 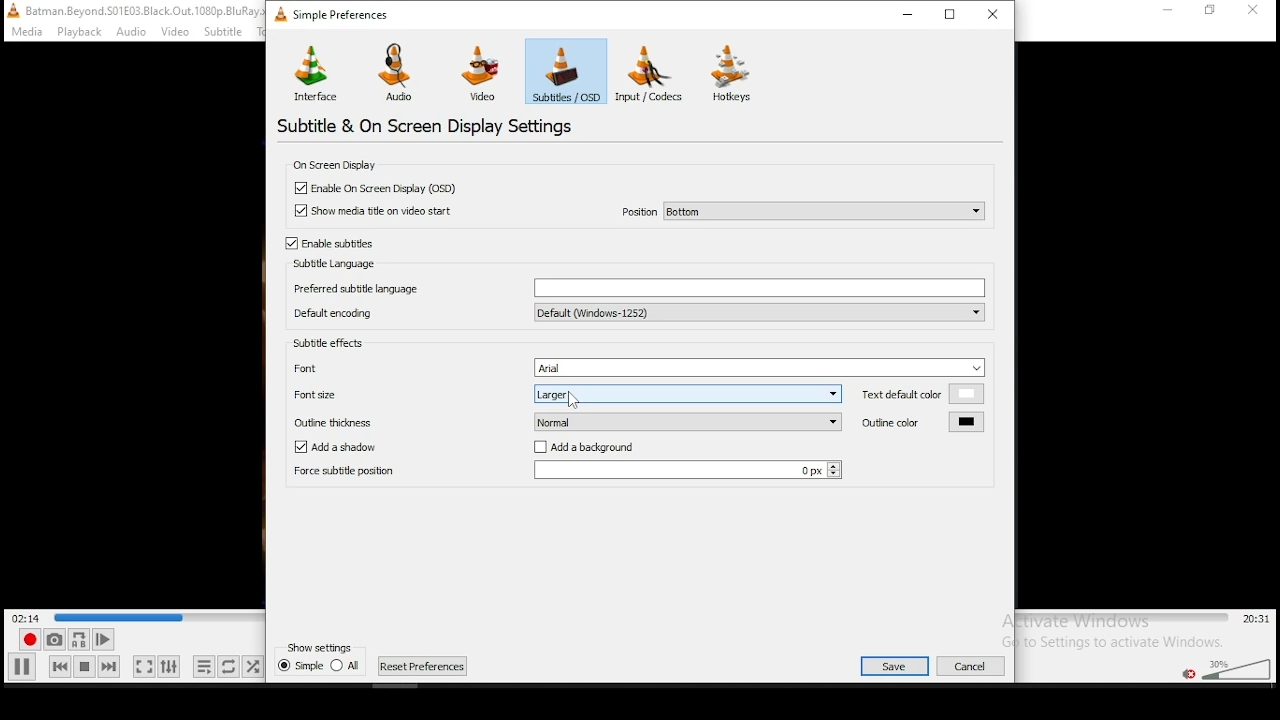 What do you see at coordinates (565, 472) in the screenshot?
I see `force subtitle position` at bounding box center [565, 472].